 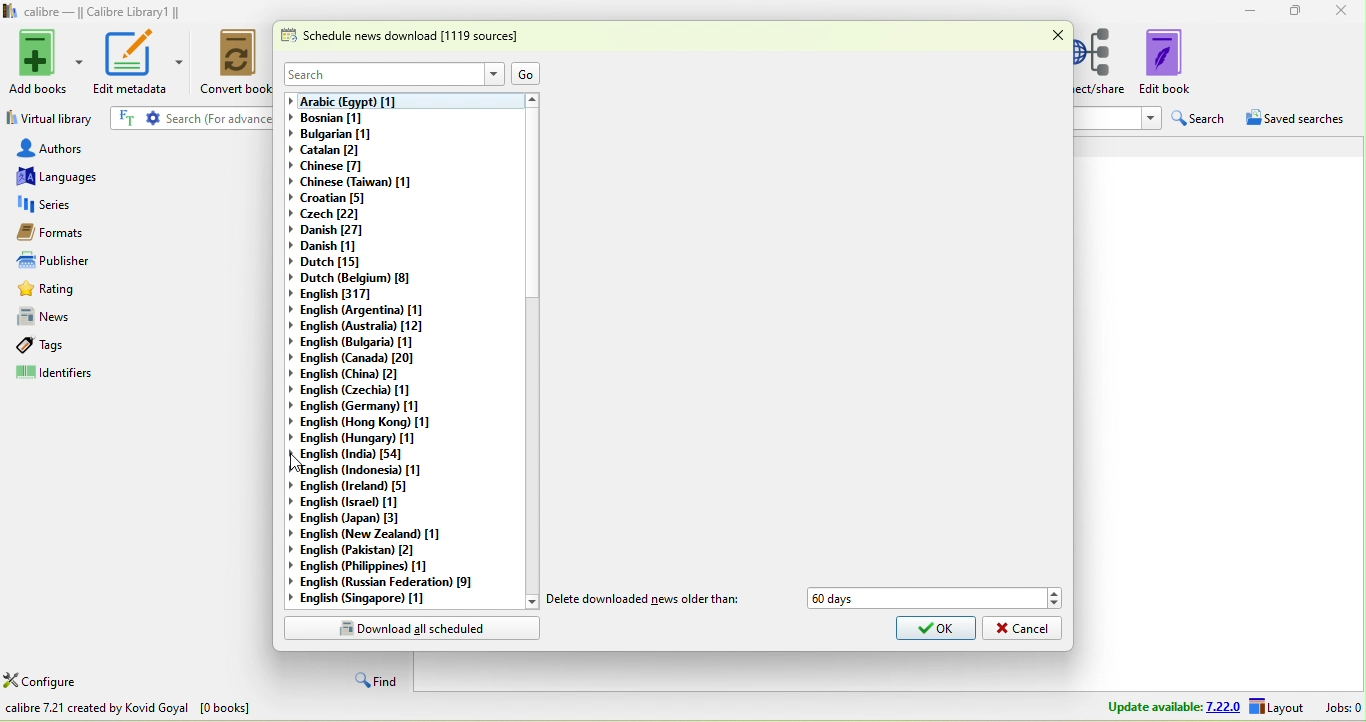 What do you see at coordinates (918, 598) in the screenshot?
I see `60 days` at bounding box center [918, 598].